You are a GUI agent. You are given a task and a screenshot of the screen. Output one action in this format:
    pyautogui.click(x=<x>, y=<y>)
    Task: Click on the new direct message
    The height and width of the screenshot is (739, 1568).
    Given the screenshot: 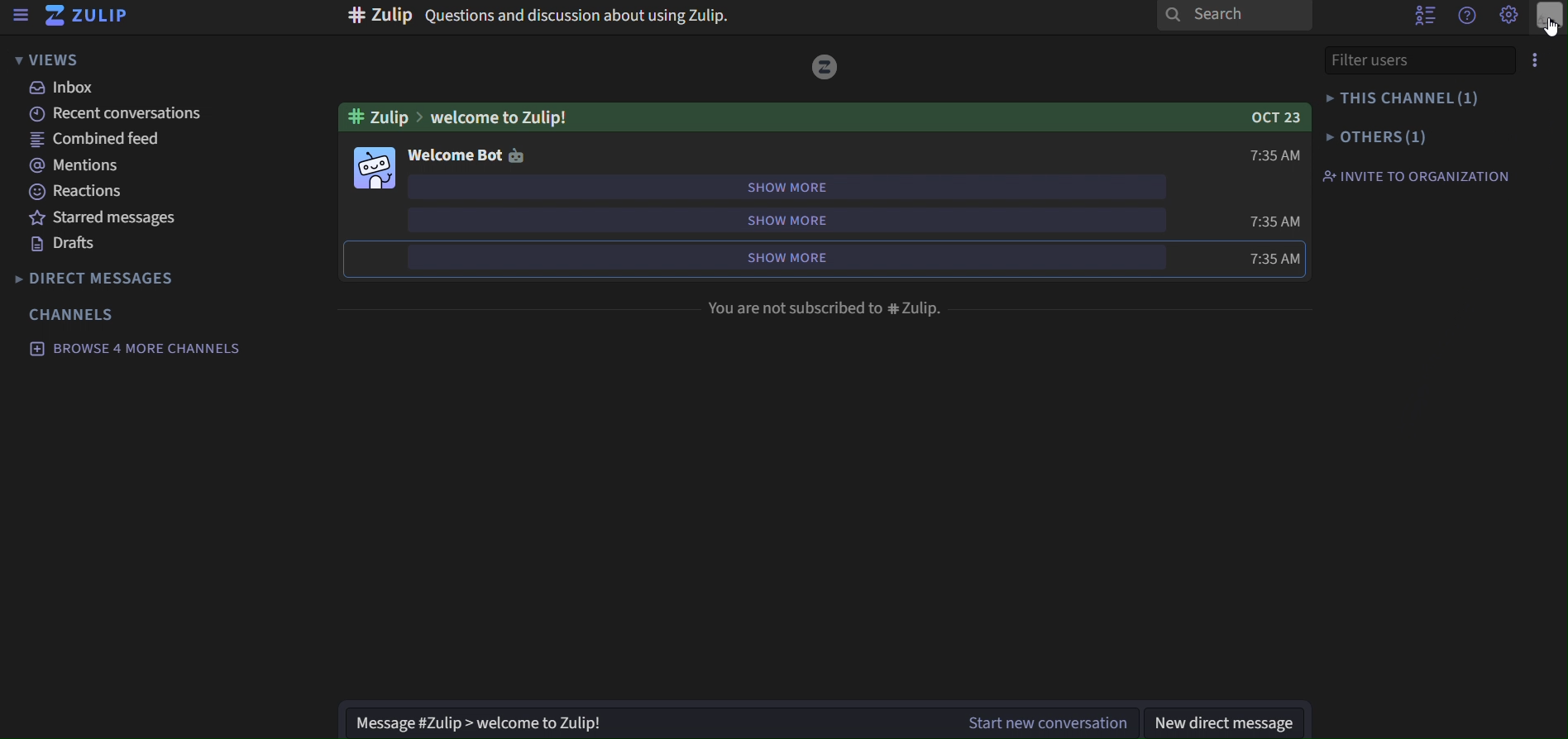 What is the action you would take?
    pyautogui.click(x=1228, y=721)
    